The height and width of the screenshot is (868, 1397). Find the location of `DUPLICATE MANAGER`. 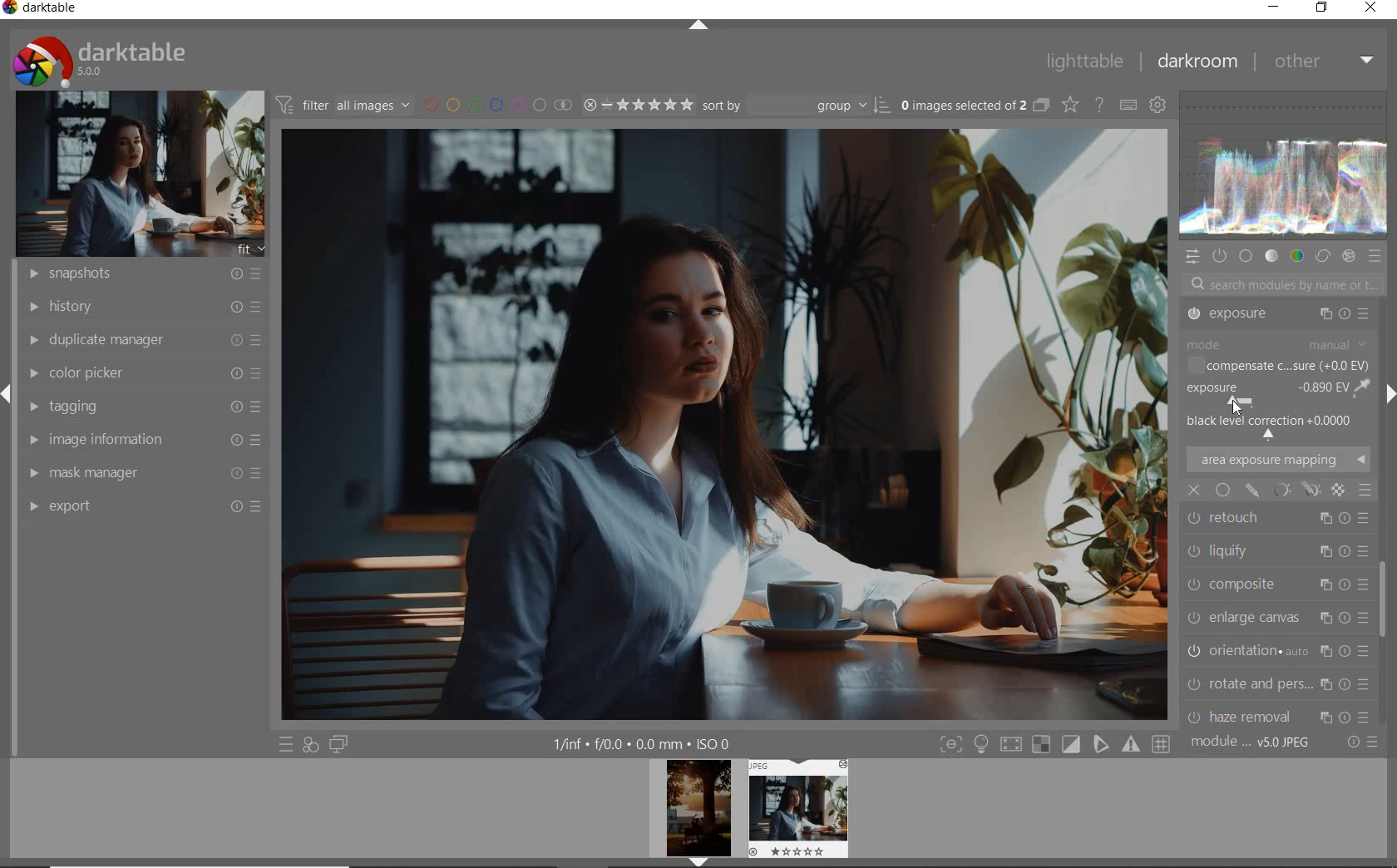

DUPLICATE MANAGER is located at coordinates (141, 340).